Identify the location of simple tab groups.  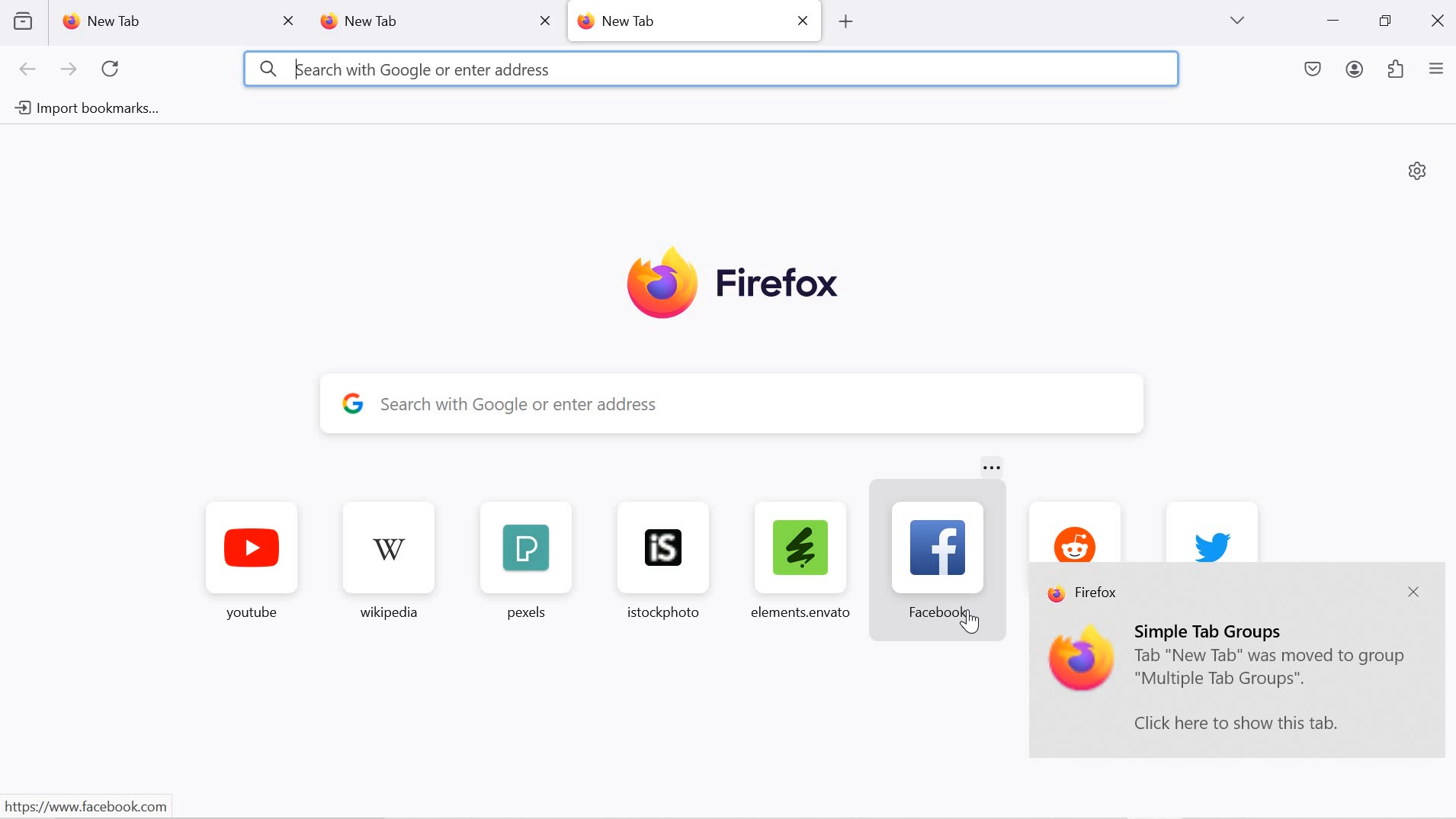
(1212, 631).